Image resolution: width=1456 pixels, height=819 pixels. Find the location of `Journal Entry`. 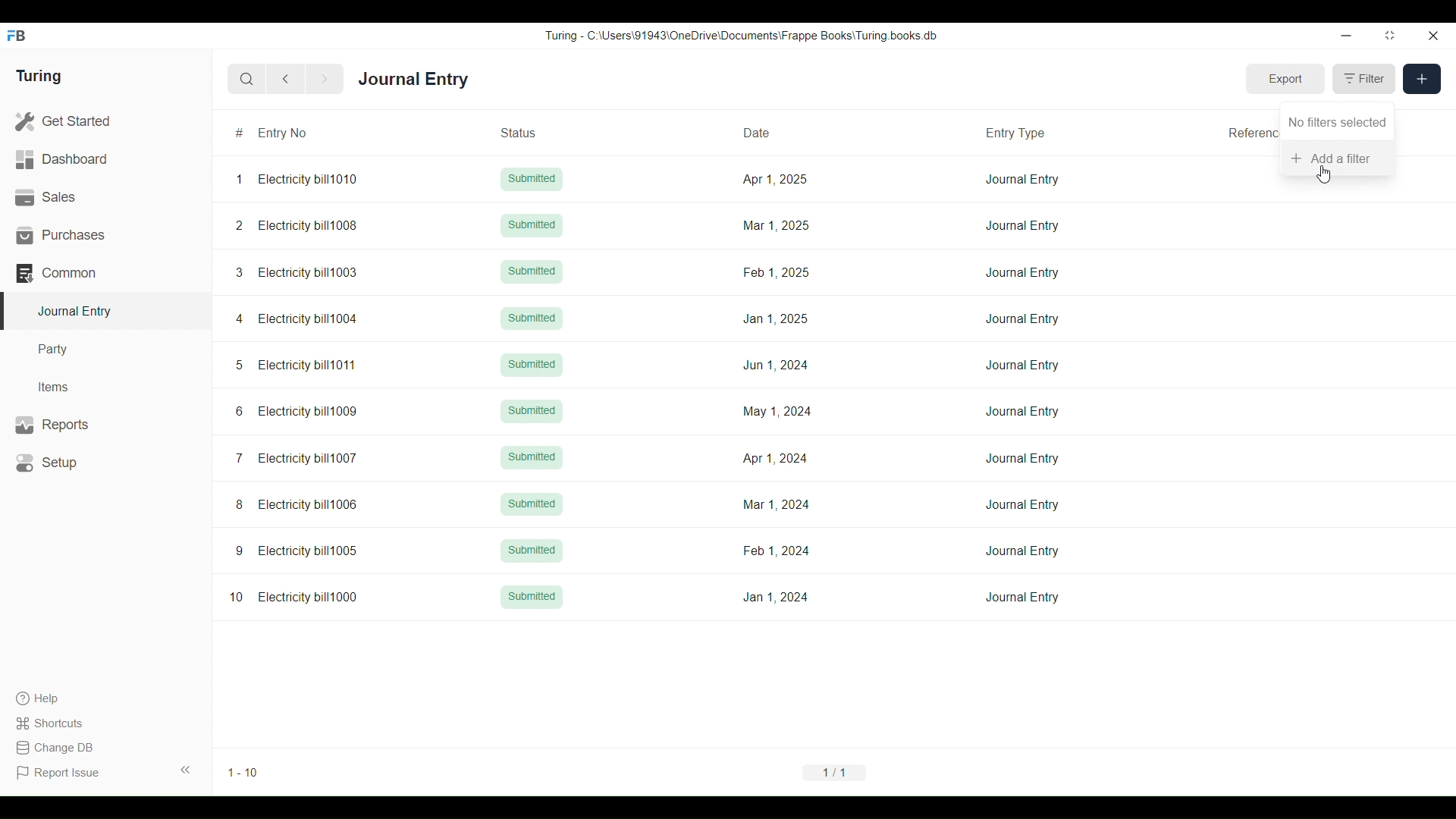

Journal Entry is located at coordinates (1022, 226).